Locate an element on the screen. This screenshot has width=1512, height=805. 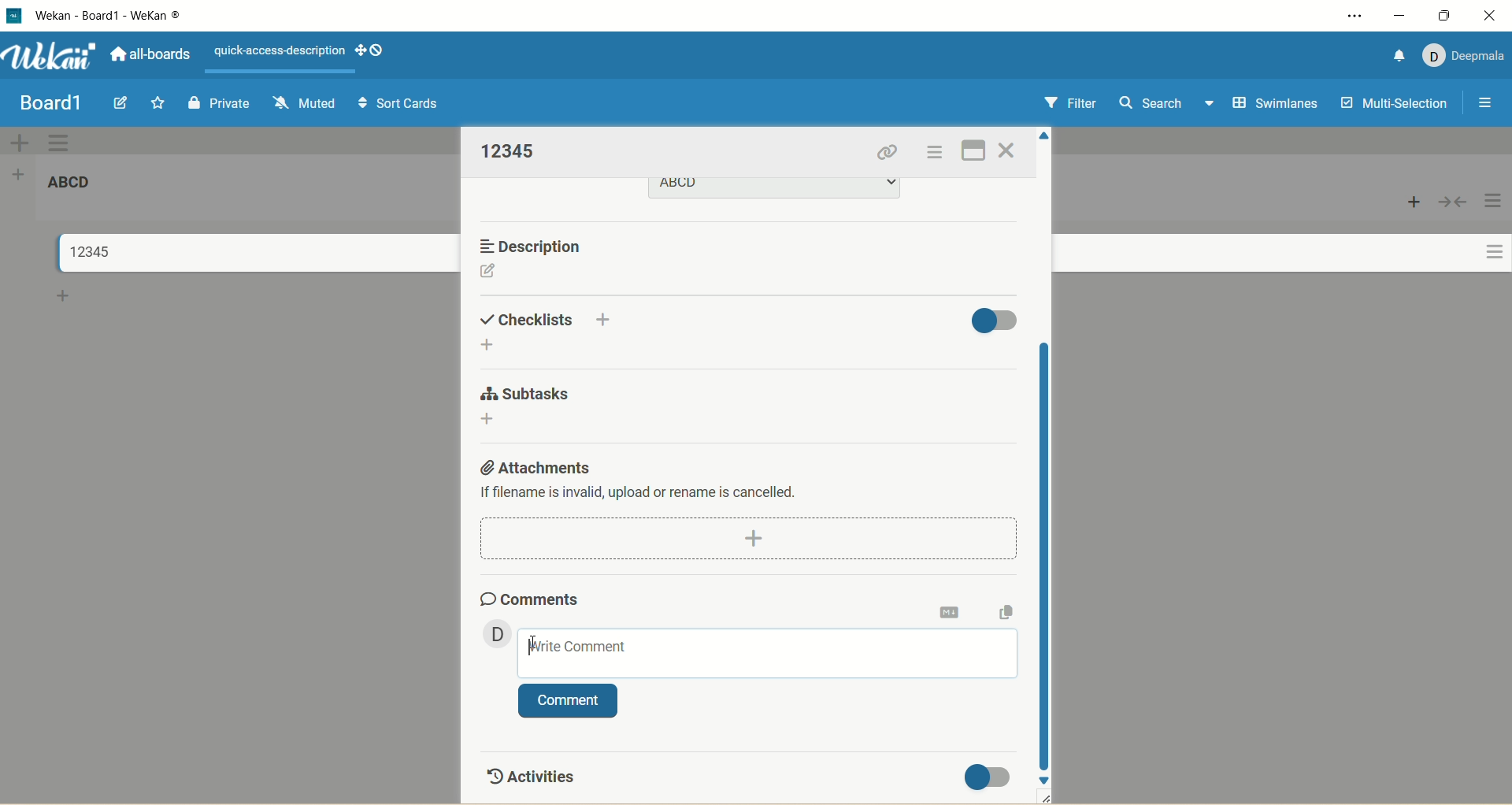
settings and more is located at coordinates (1359, 17).